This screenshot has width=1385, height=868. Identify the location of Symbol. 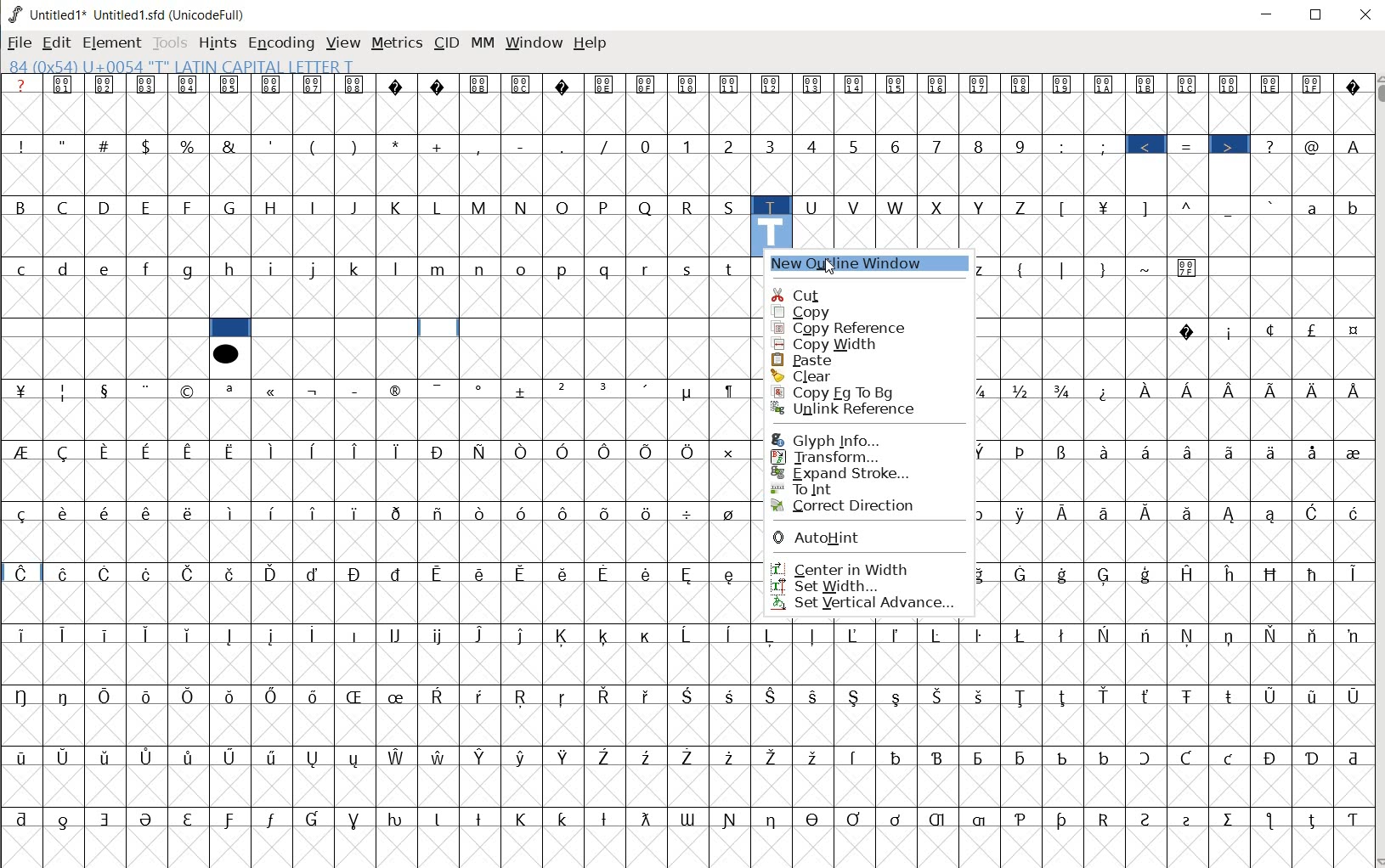
(693, 758).